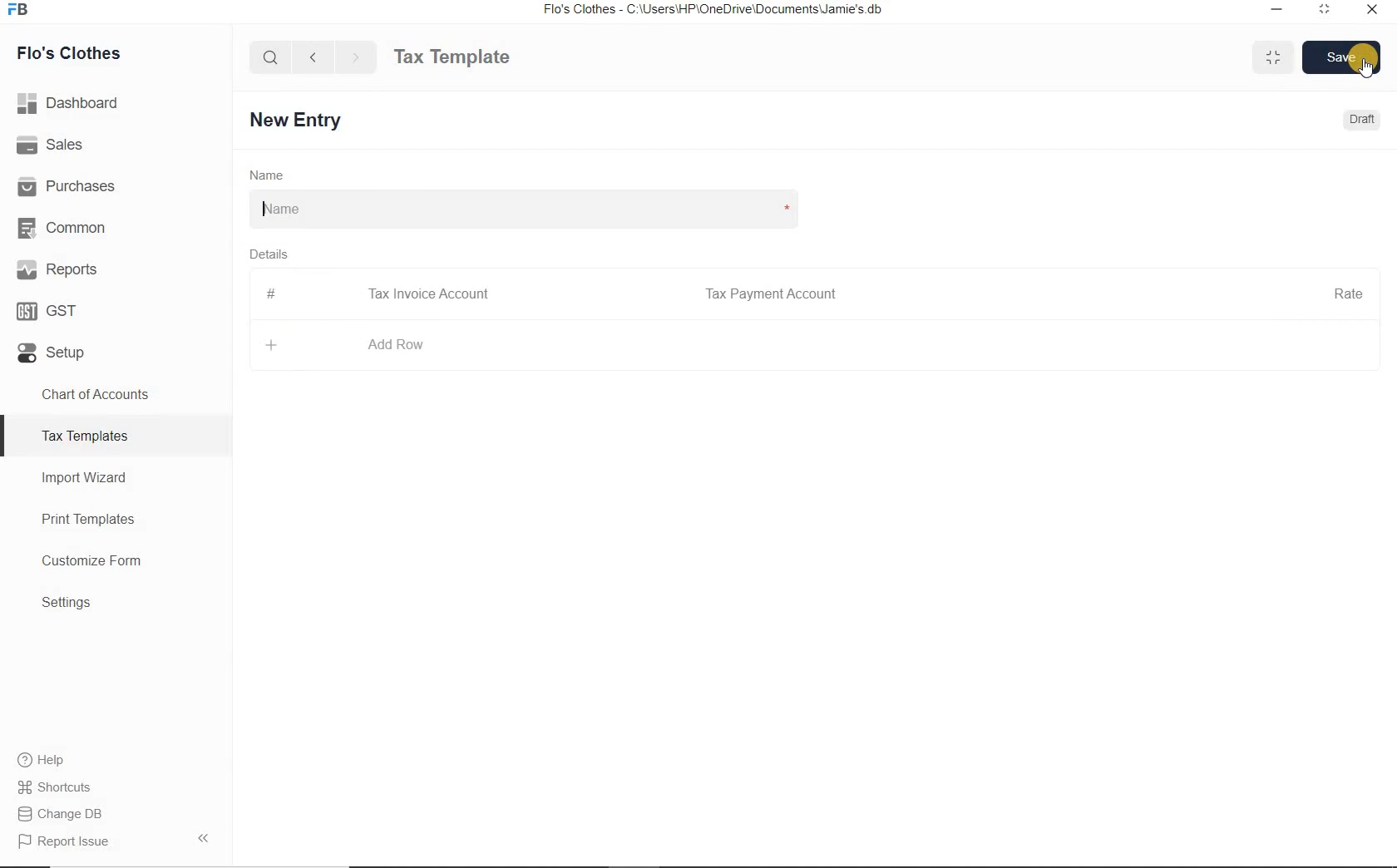 This screenshot has width=1397, height=868. I want to click on Minimize, so click(1277, 11).